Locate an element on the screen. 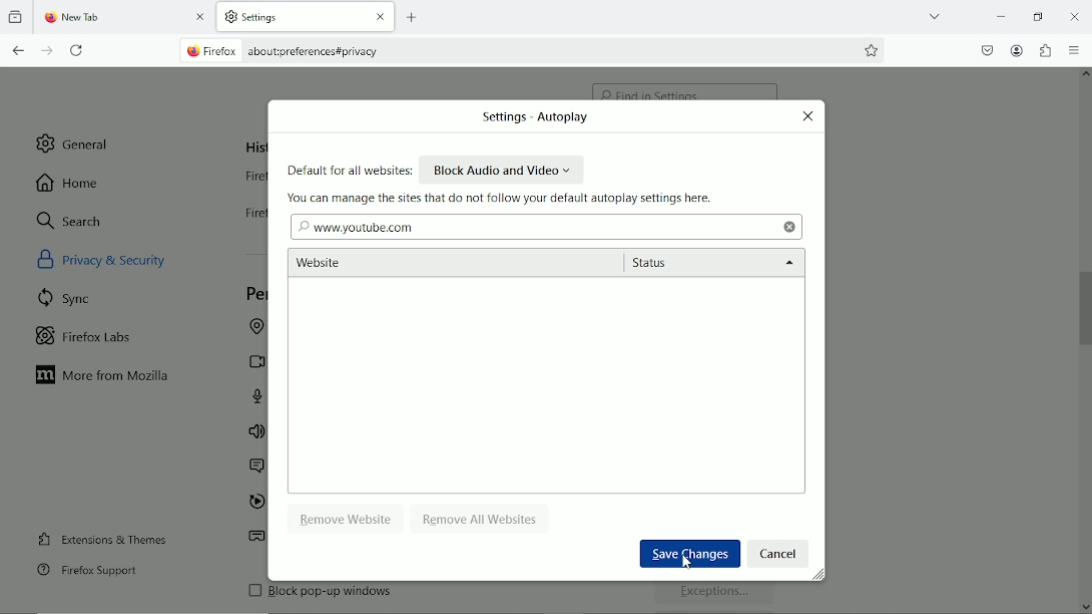 This screenshot has width=1092, height=614. notifications is located at coordinates (254, 467).